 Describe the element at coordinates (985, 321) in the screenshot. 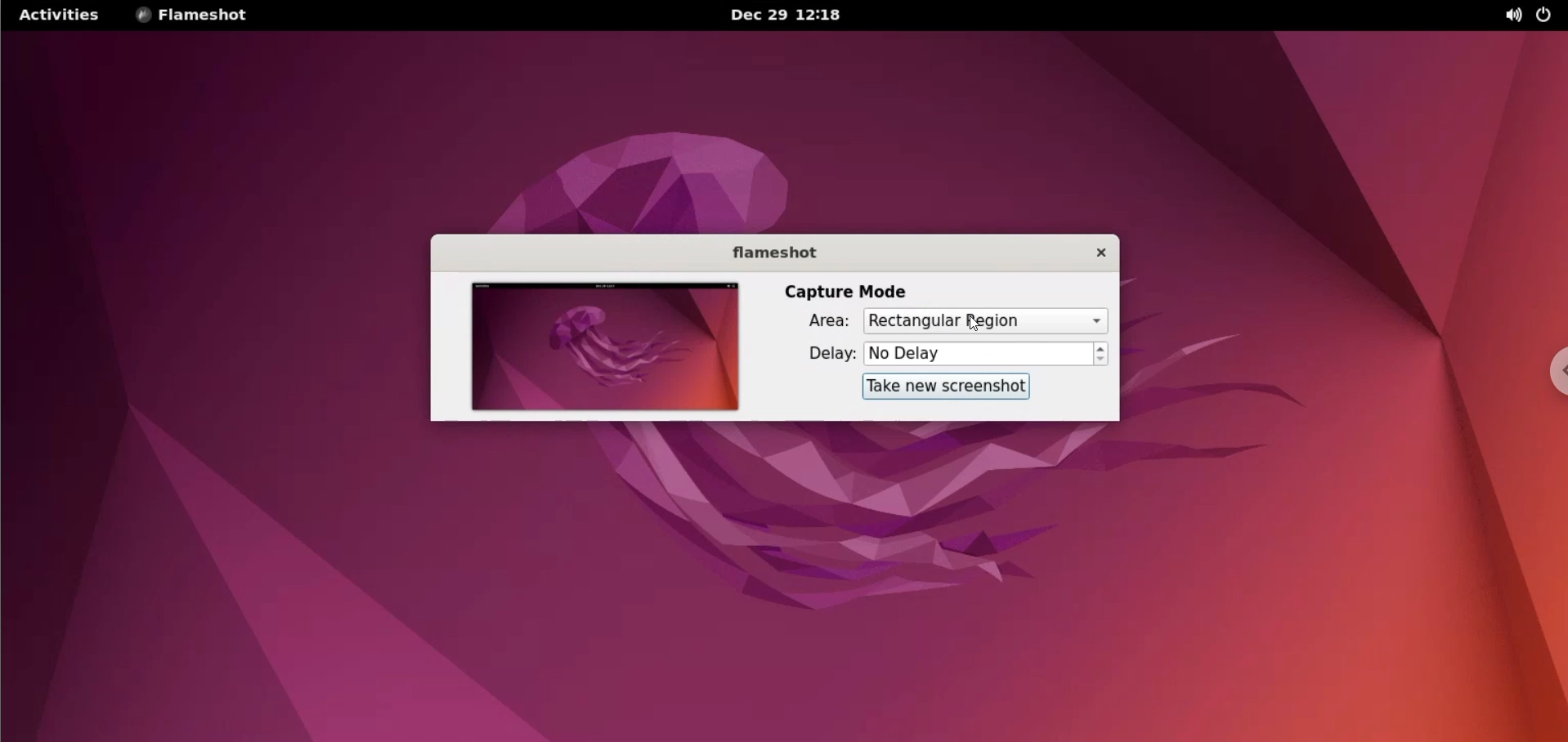

I see `capture area options` at that location.